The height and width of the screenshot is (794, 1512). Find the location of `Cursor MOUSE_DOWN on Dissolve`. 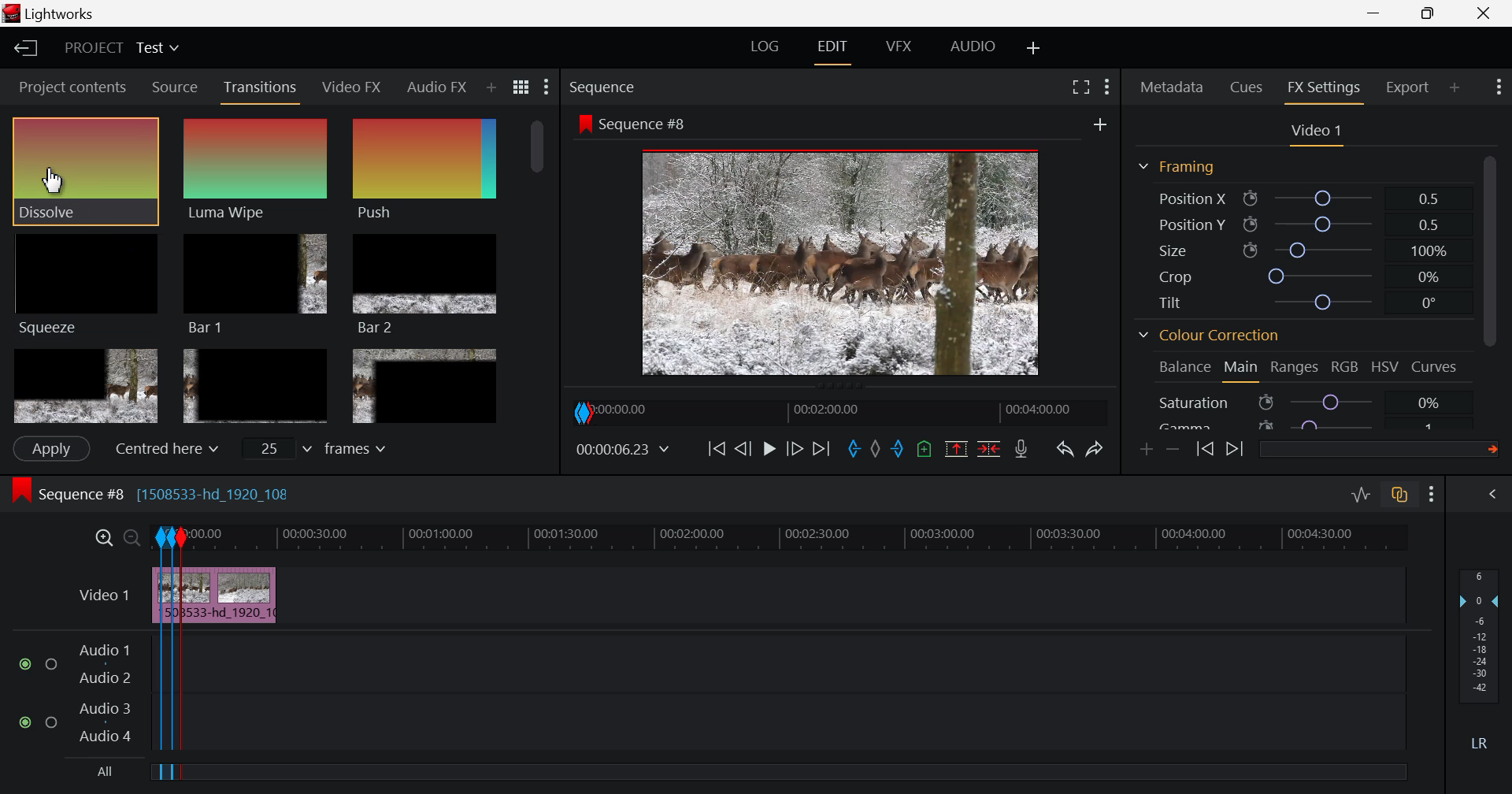

Cursor MOUSE_DOWN on Dissolve is located at coordinates (86, 171).